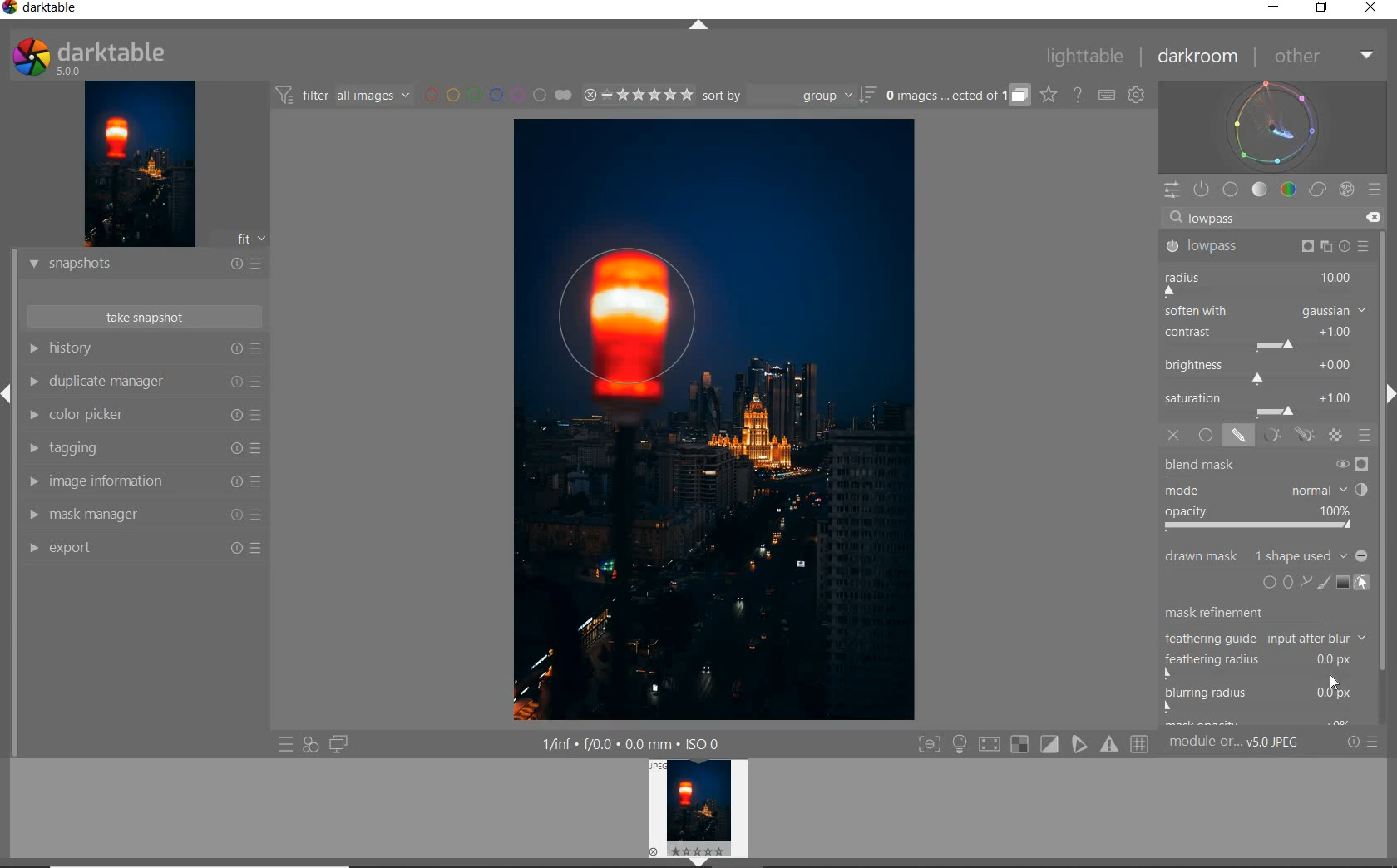  I want to click on SATURATION, so click(1266, 403).